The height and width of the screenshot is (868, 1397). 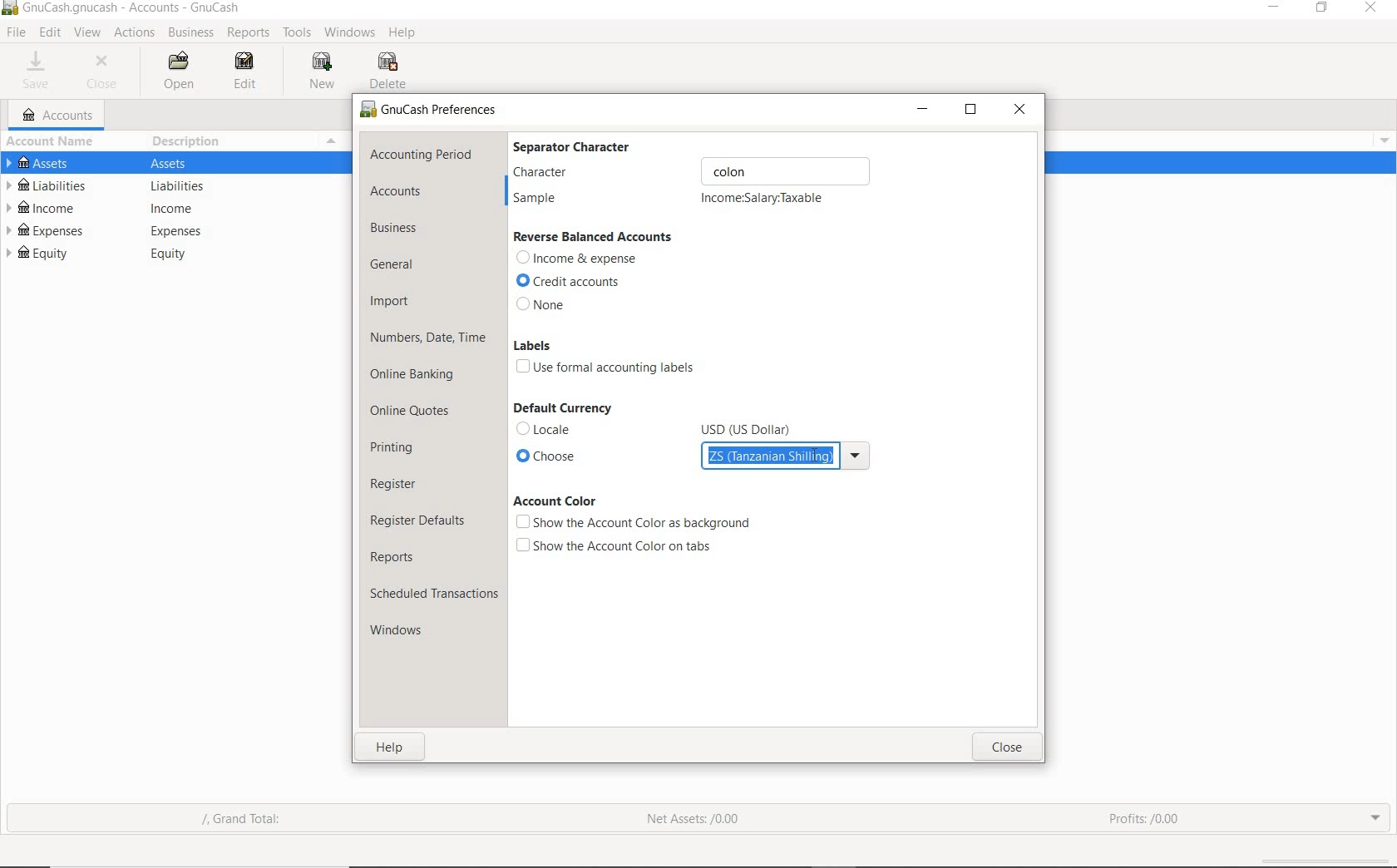 I want to click on profits, so click(x=1146, y=814).